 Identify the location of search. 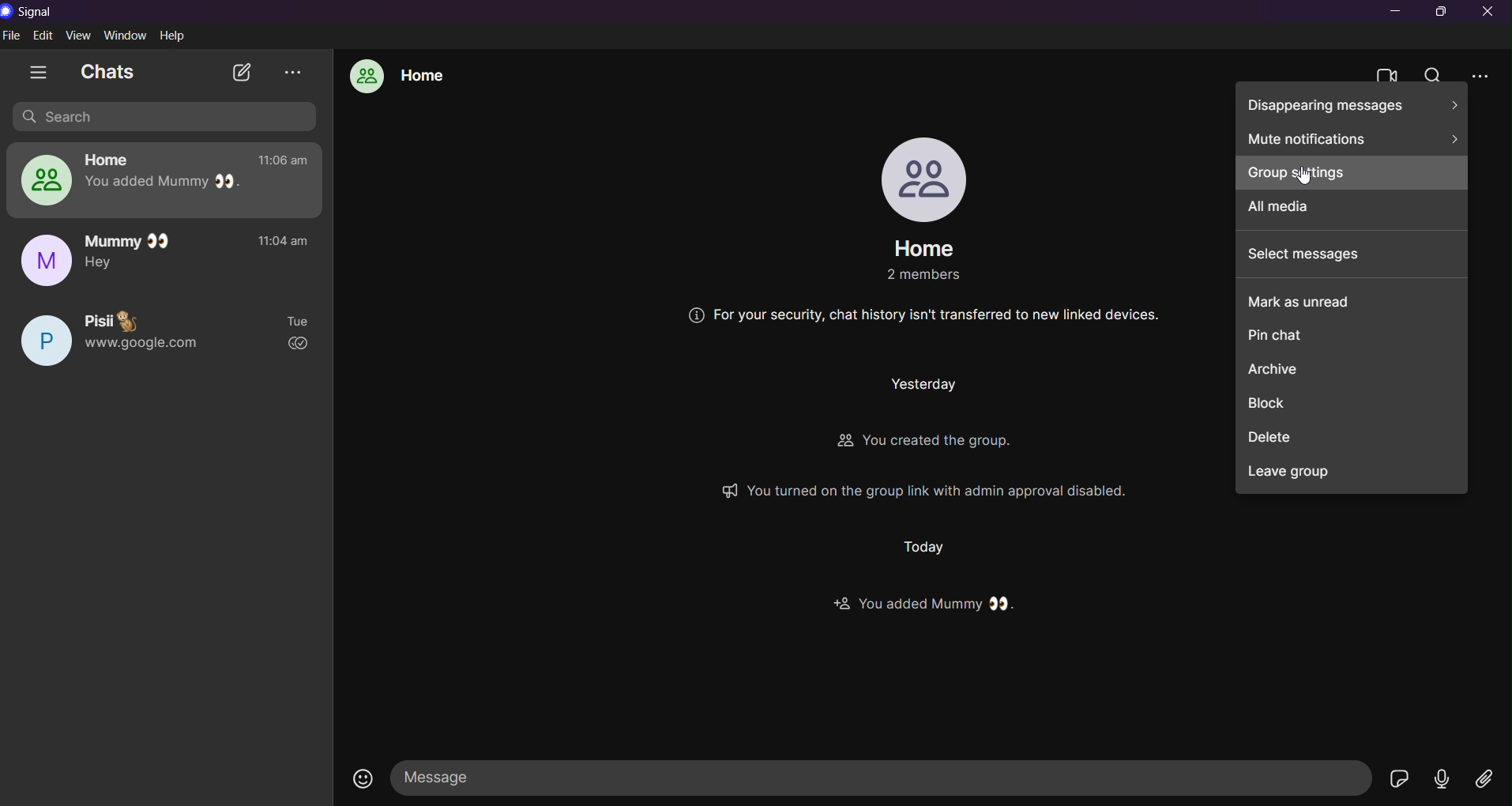
(1437, 70).